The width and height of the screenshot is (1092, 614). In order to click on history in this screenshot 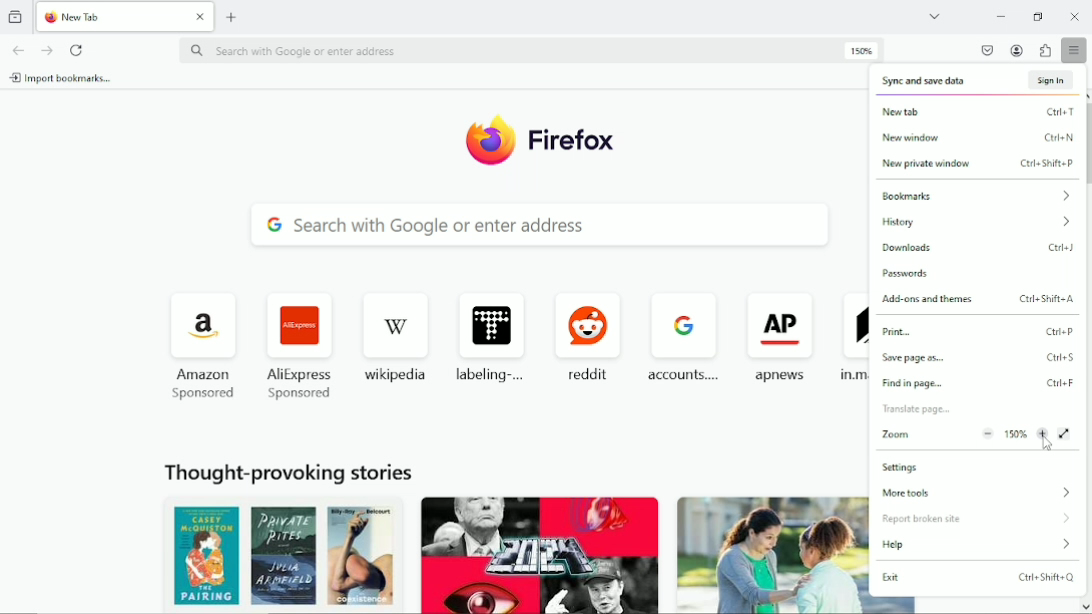, I will do `click(978, 224)`.